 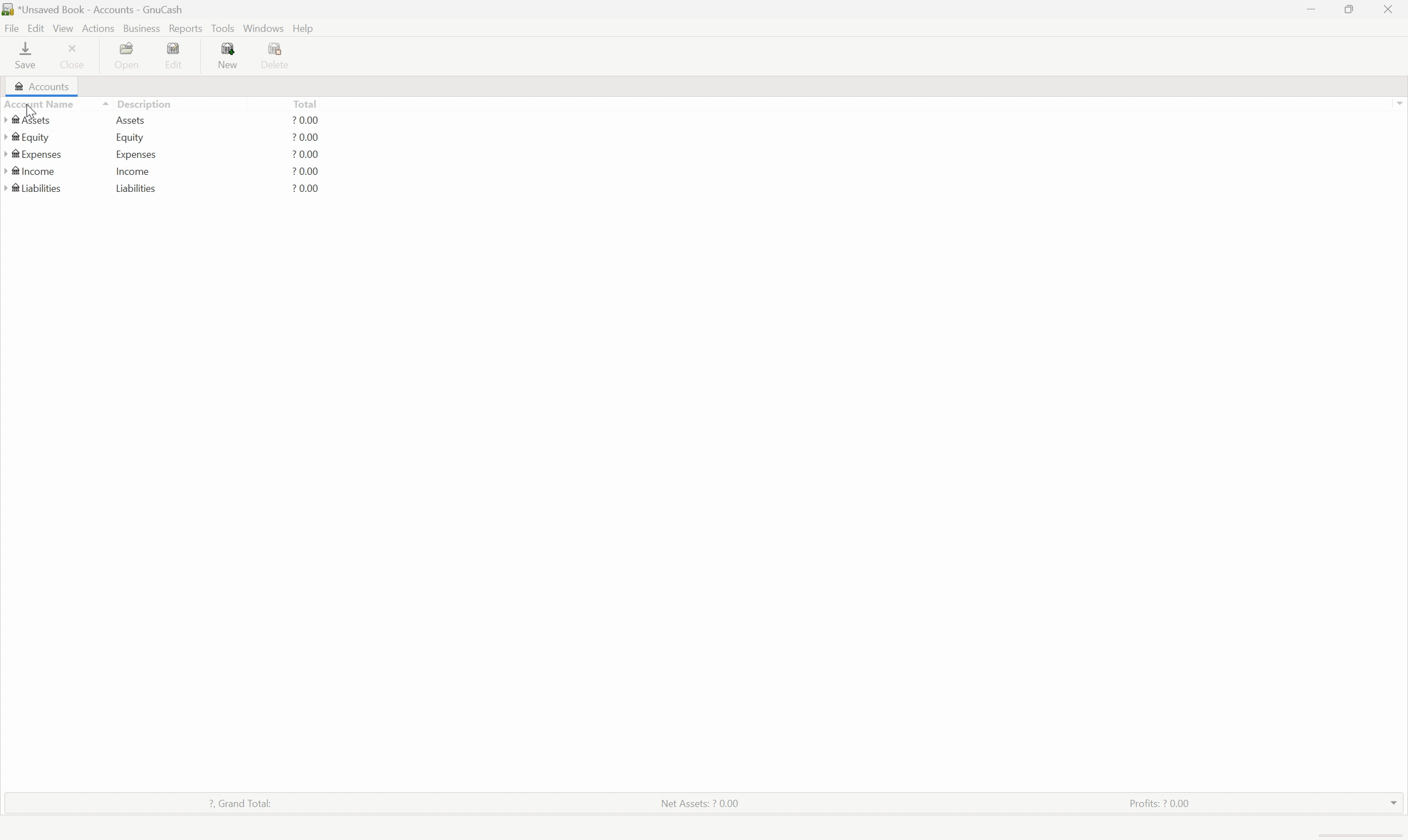 I want to click on close, so click(x=1389, y=9).